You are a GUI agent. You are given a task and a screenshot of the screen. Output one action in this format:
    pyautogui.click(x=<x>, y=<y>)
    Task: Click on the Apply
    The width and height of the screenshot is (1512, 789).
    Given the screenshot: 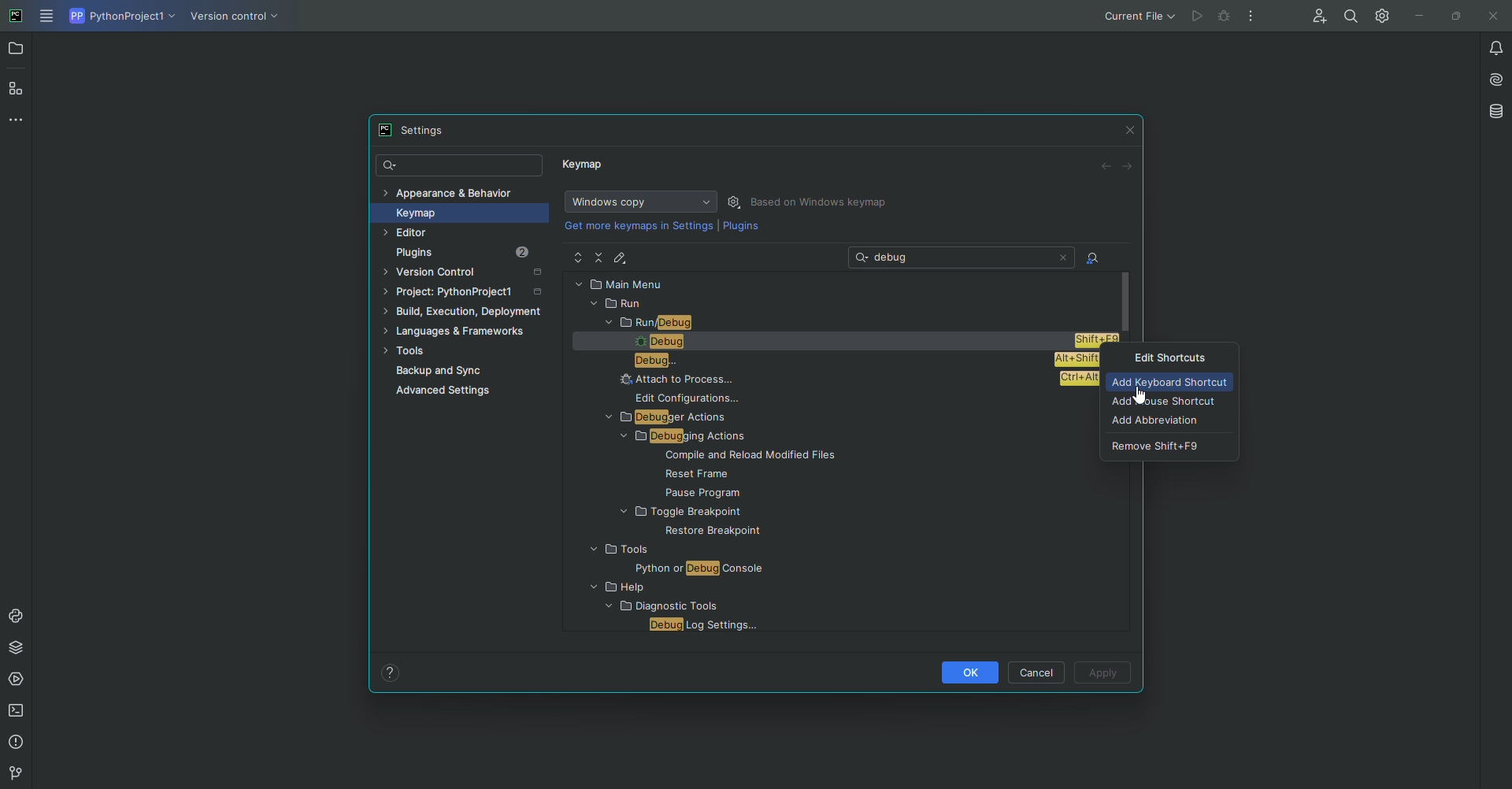 What is the action you would take?
    pyautogui.click(x=1104, y=674)
    